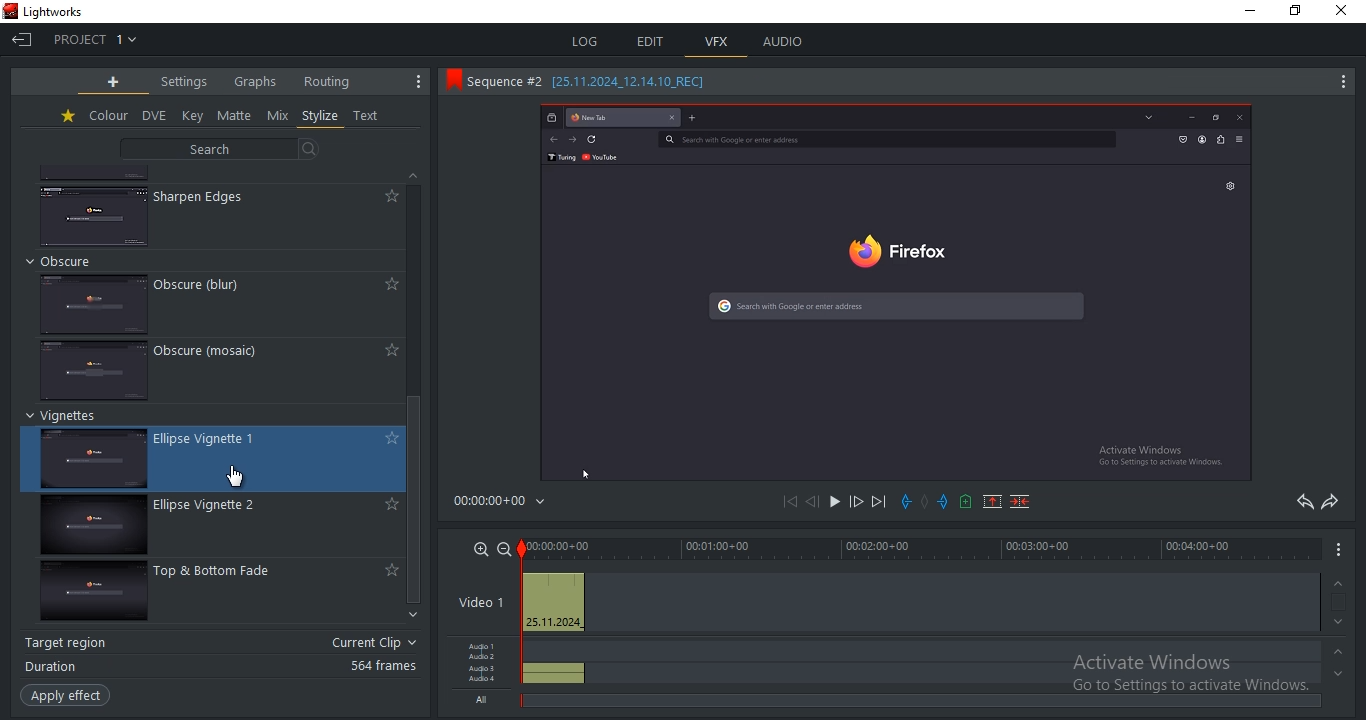 Image resolution: width=1366 pixels, height=720 pixels. Describe the element at coordinates (833, 502) in the screenshot. I see `option` at that location.